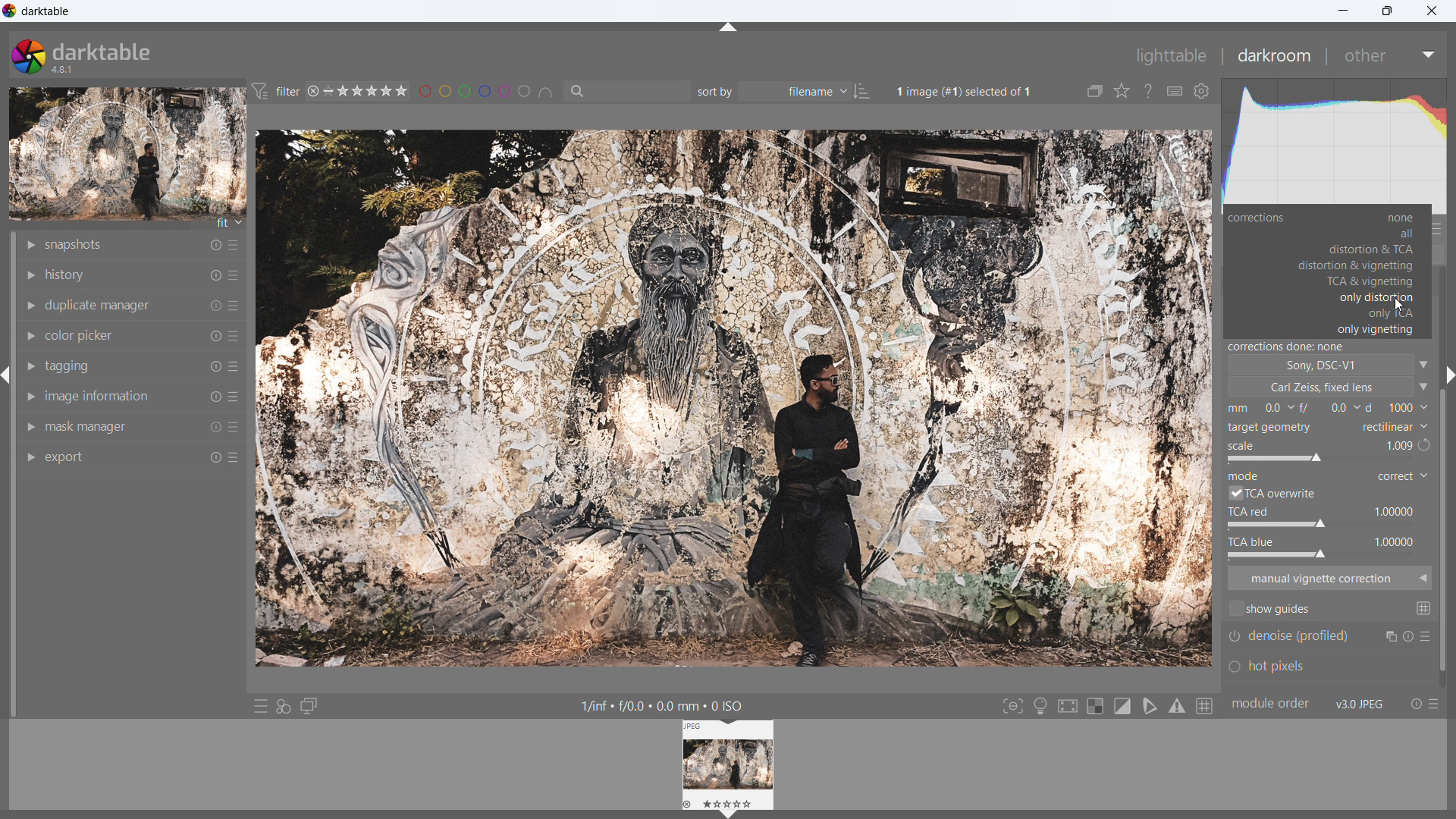  What do you see at coordinates (1423, 447) in the screenshot?
I see `redo` at bounding box center [1423, 447].